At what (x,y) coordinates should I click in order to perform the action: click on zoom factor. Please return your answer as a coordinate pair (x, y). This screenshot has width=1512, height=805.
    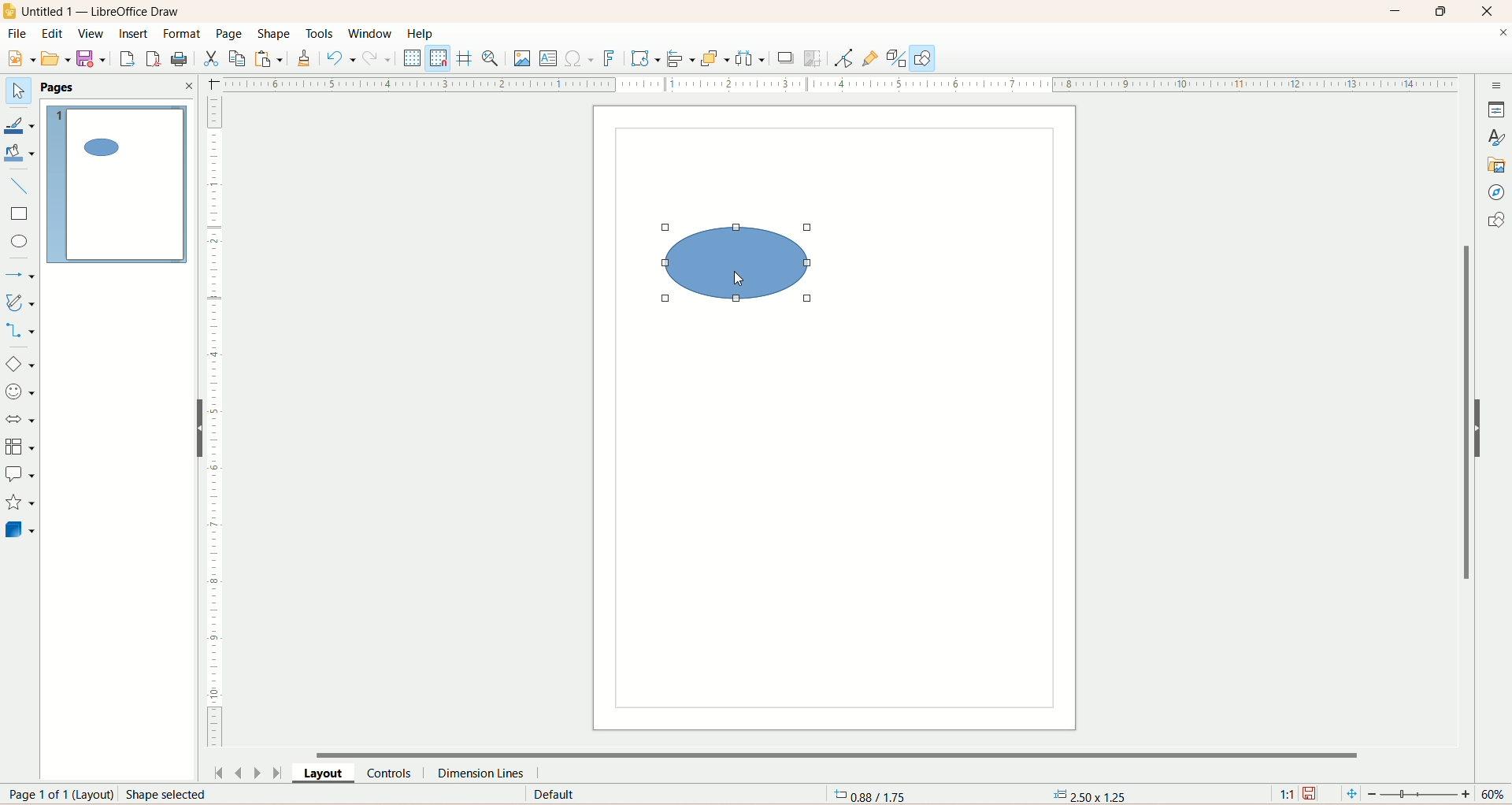
    Looking at the image, I should click on (1421, 793).